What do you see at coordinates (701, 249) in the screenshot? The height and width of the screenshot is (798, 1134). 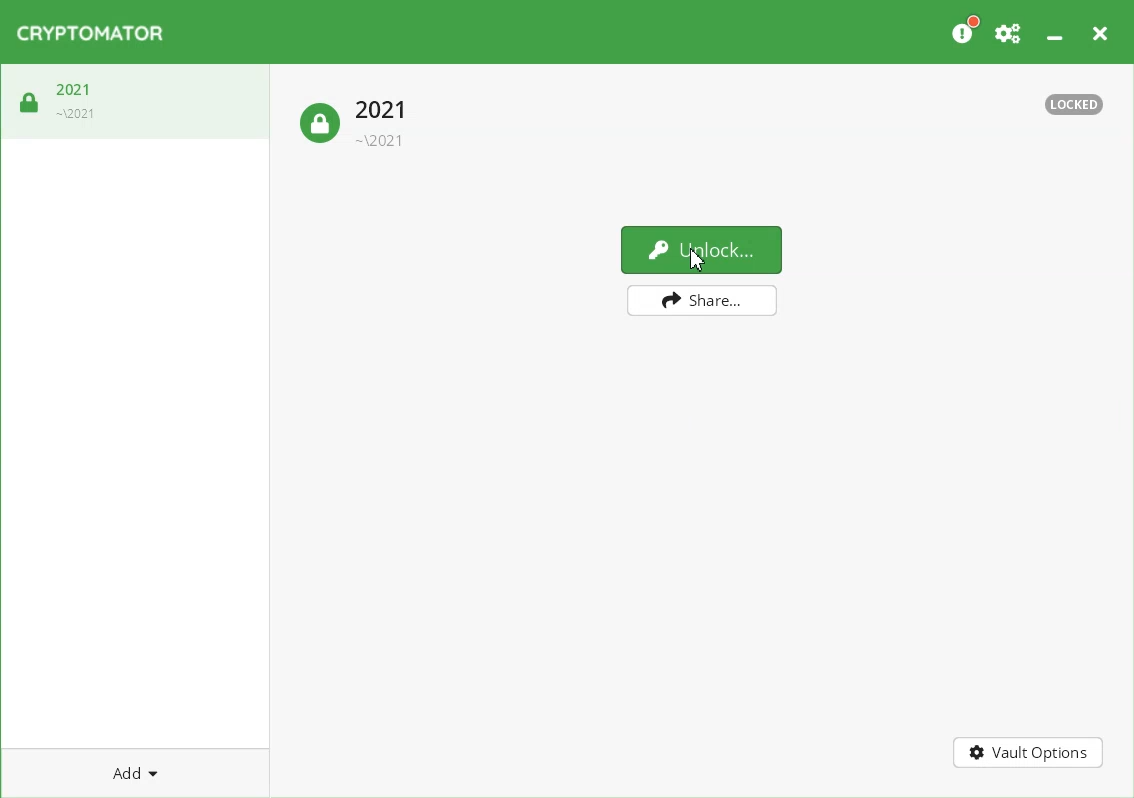 I see `Unlock` at bounding box center [701, 249].